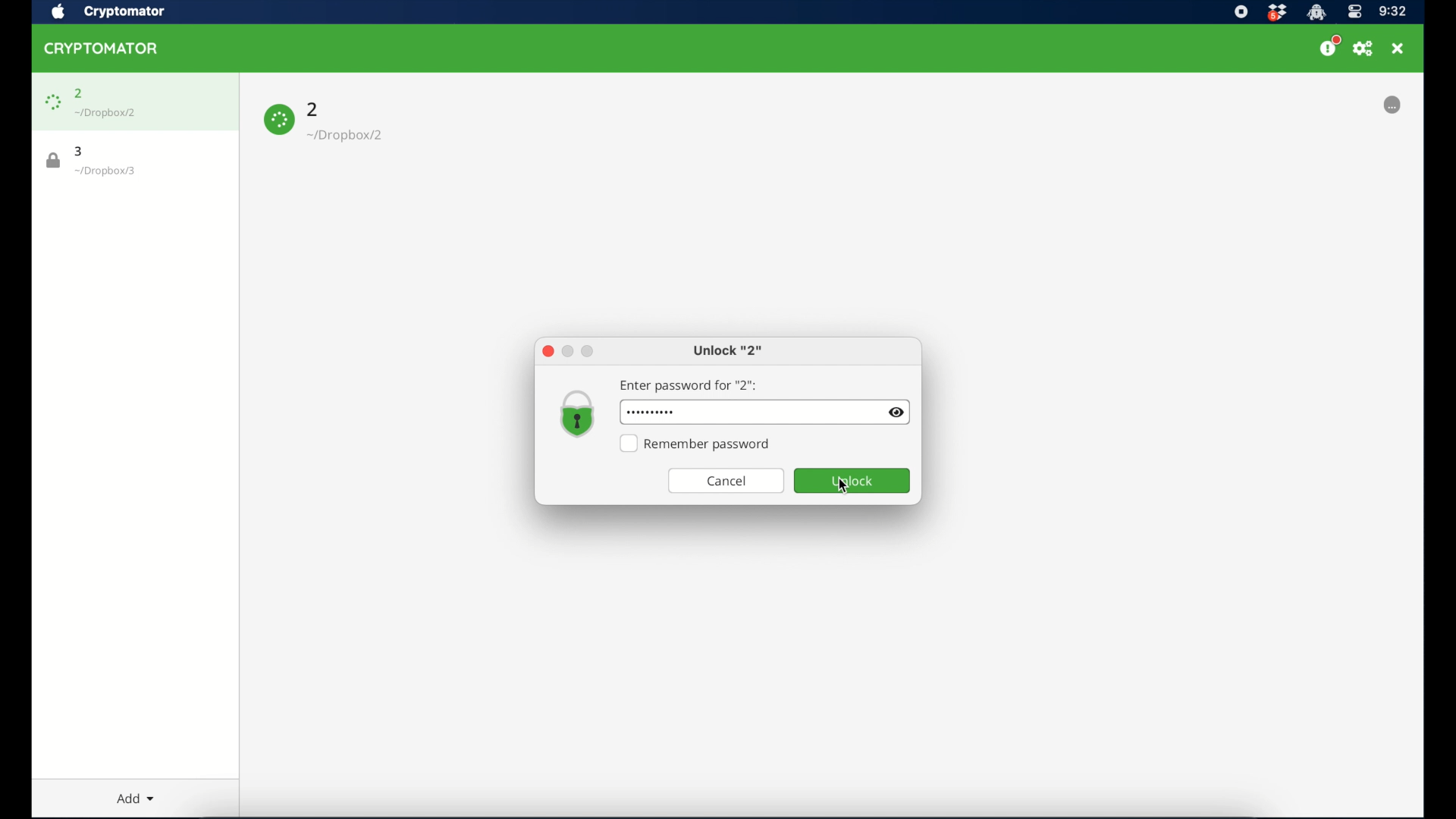 Image resolution: width=1456 pixels, height=819 pixels. Describe the element at coordinates (1355, 12) in the screenshot. I see `control center` at that location.